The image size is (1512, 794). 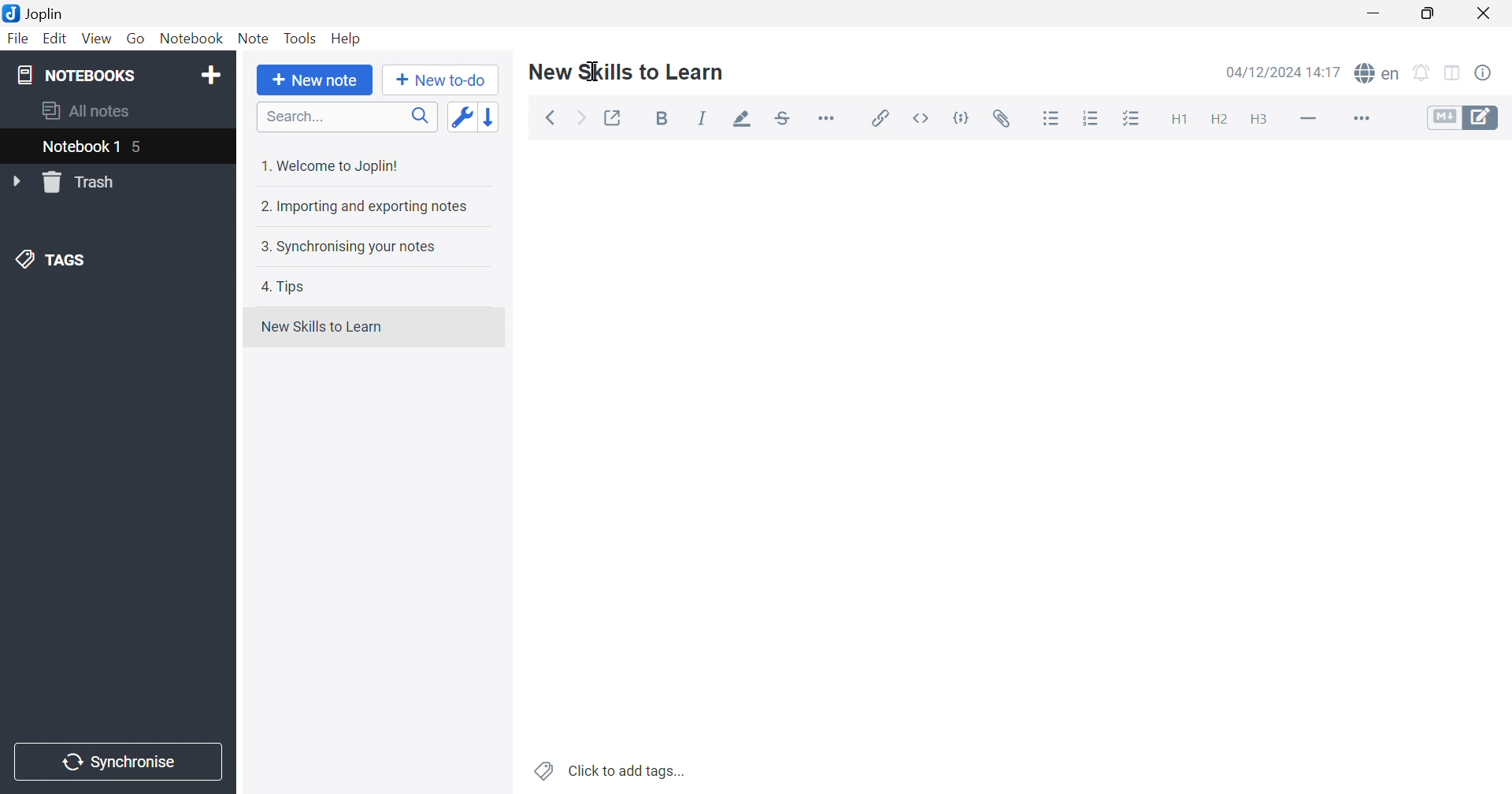 What do you see at coordinates (593, 70) in the screenshot?
I see `Cursor` at bounding box center [593, 70].